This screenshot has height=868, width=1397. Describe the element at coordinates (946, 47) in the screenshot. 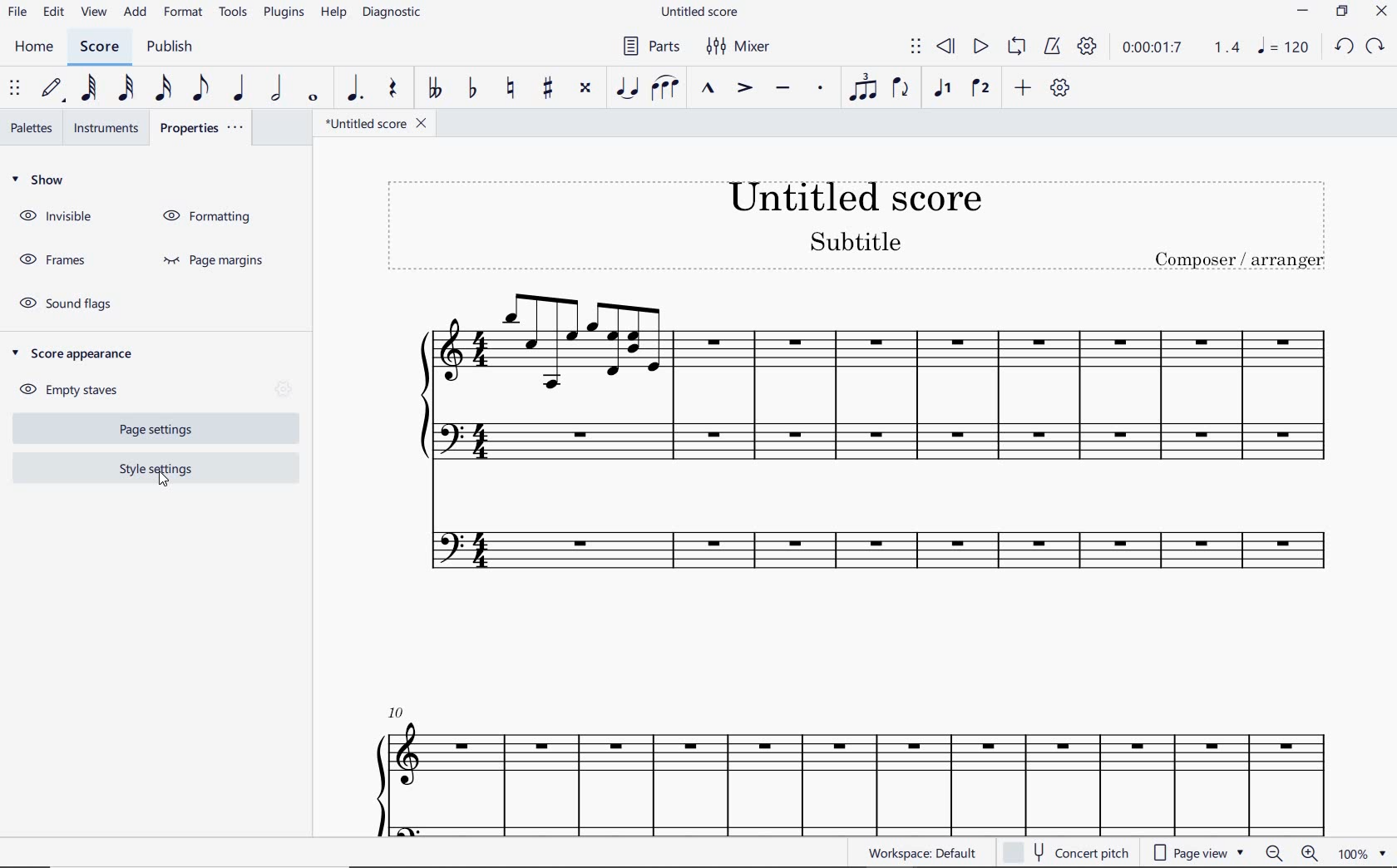

I see `REWIND` at that location.